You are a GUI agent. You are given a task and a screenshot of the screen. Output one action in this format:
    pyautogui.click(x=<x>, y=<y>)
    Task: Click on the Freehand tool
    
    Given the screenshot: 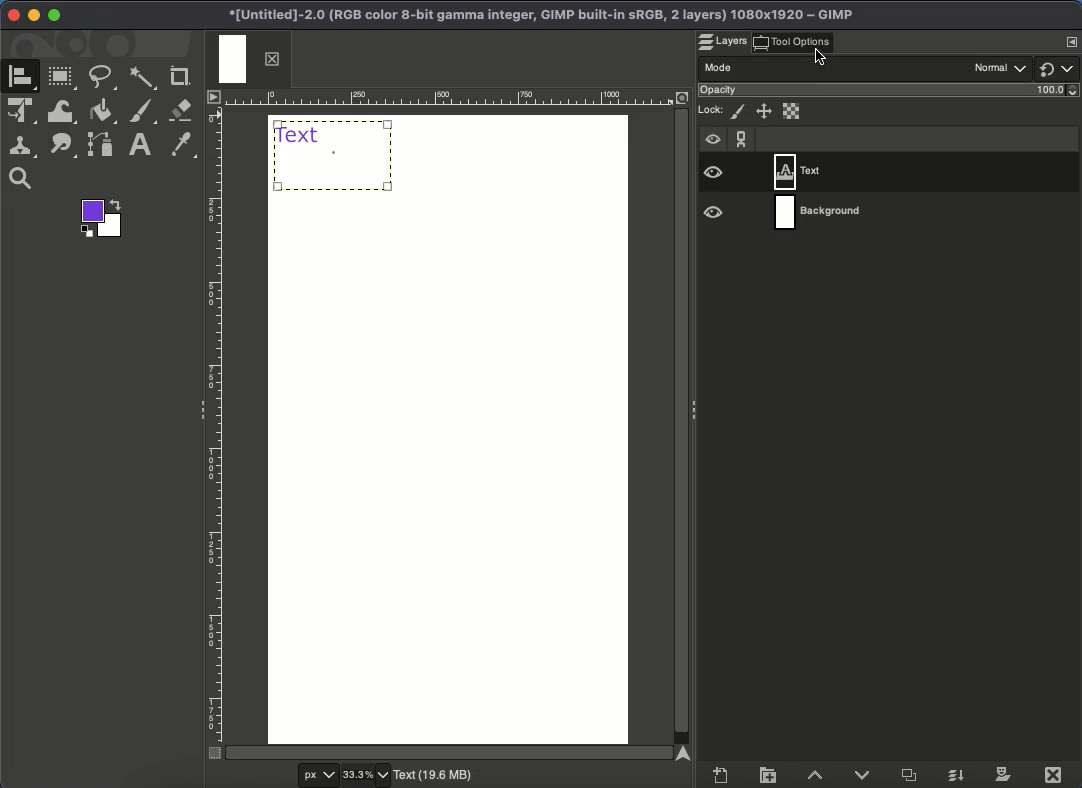 What is the action you would take?
    pyautogui.click(x=104, y=79)
    